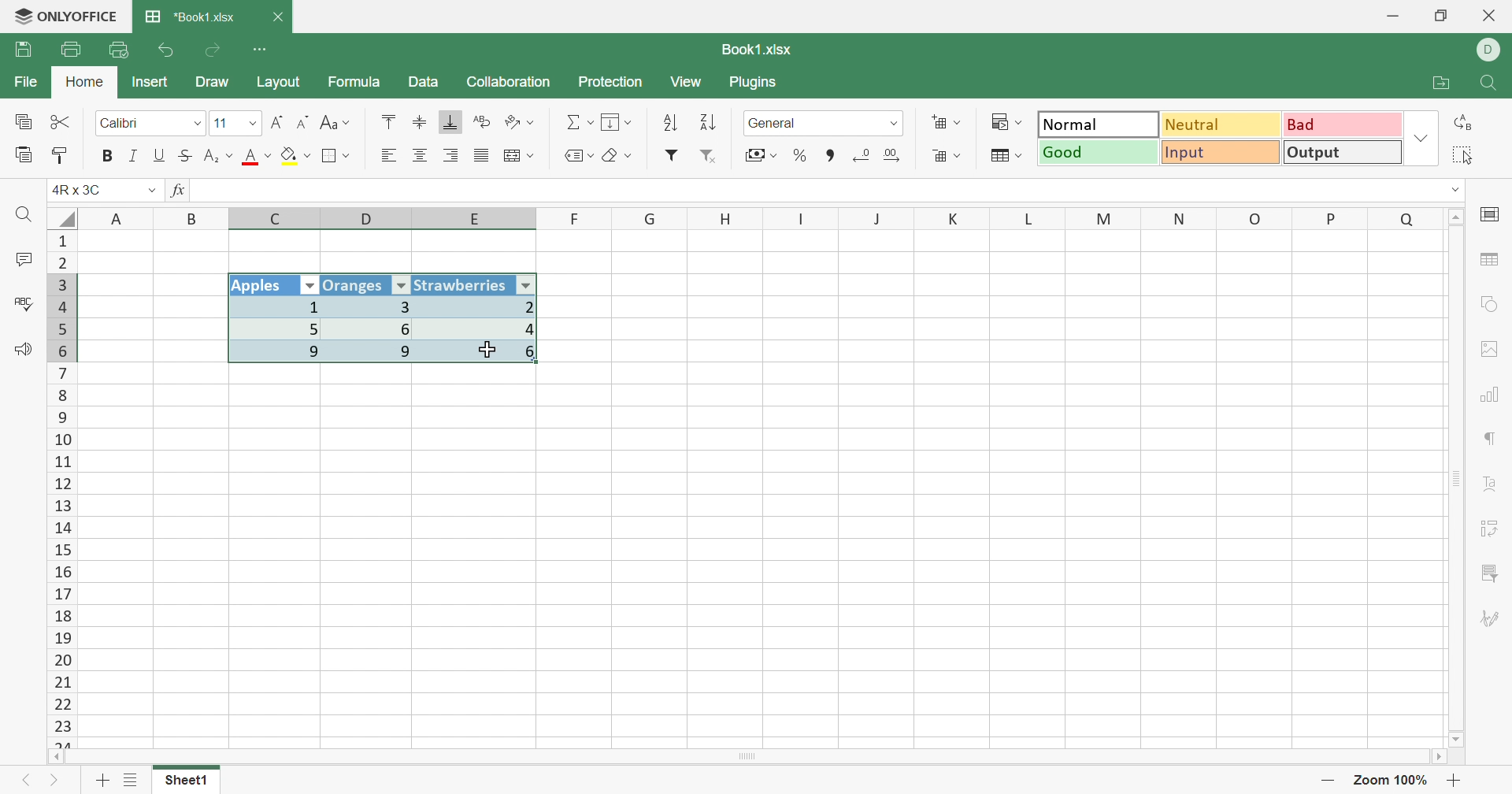  Describe the element at coordinates (688, 83) in the screenshot. I see `View` at that location.